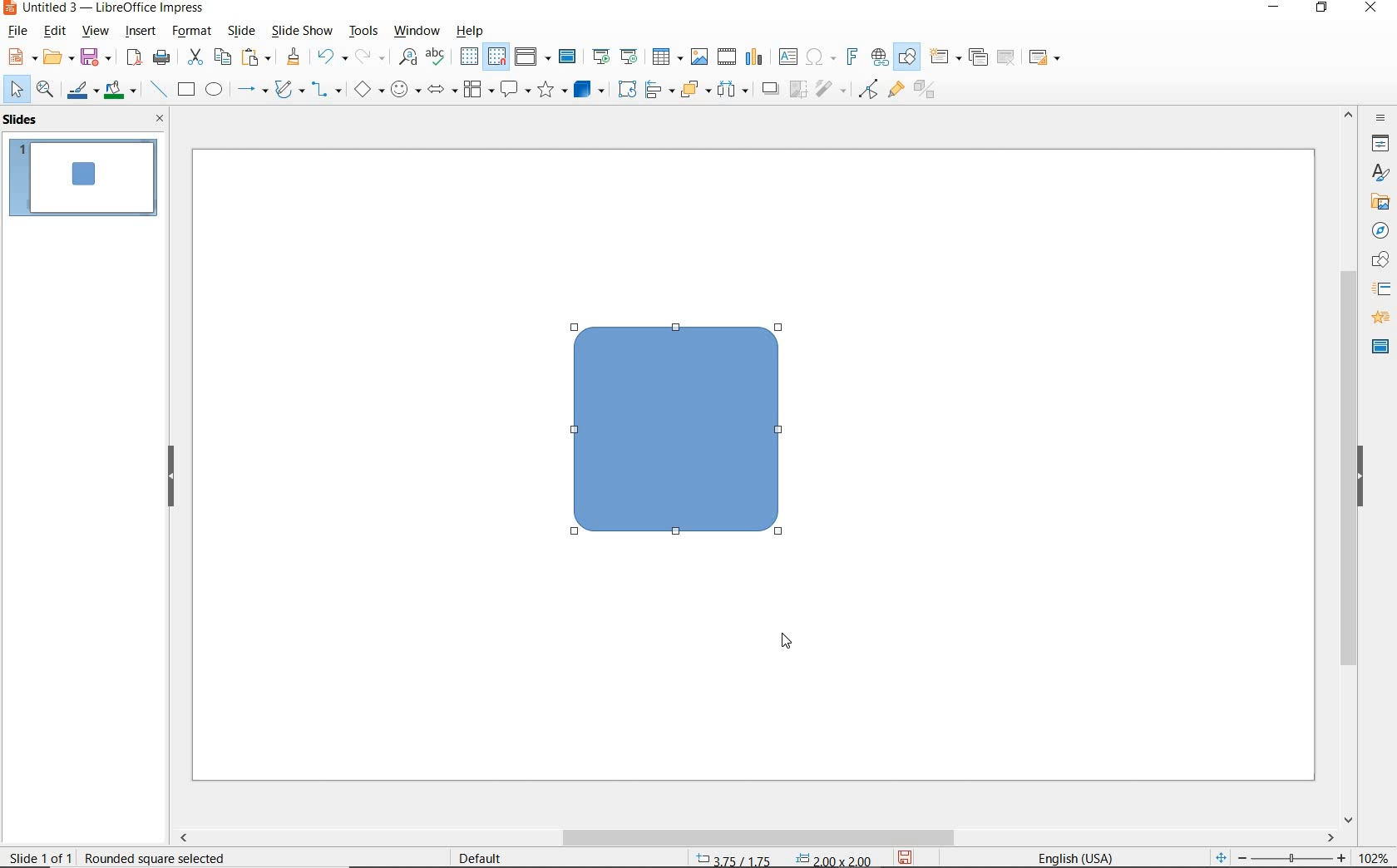  I want to click on rectangle, so click(186, 89).